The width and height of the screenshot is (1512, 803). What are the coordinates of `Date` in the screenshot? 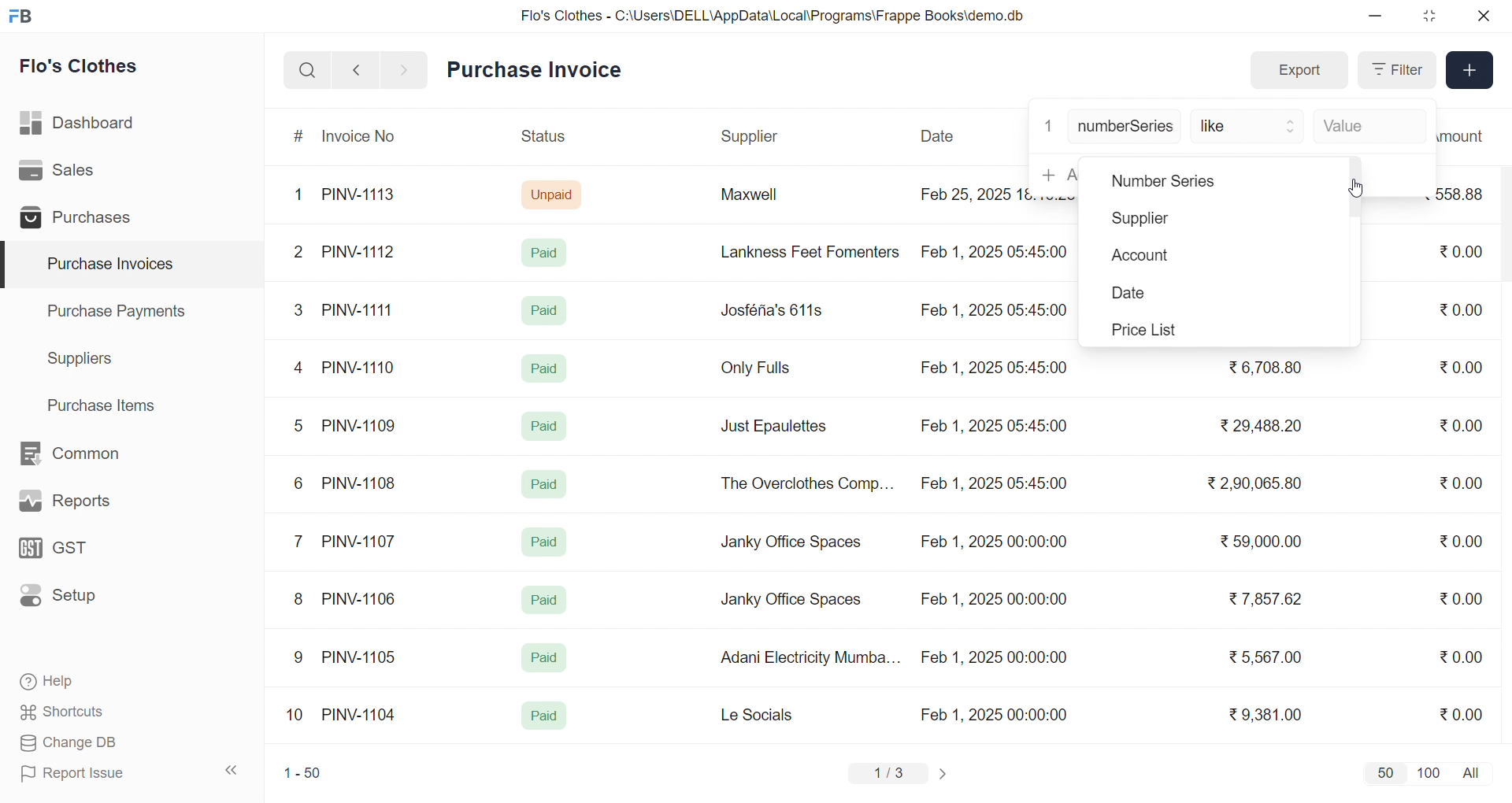 It's located at (939, 136).